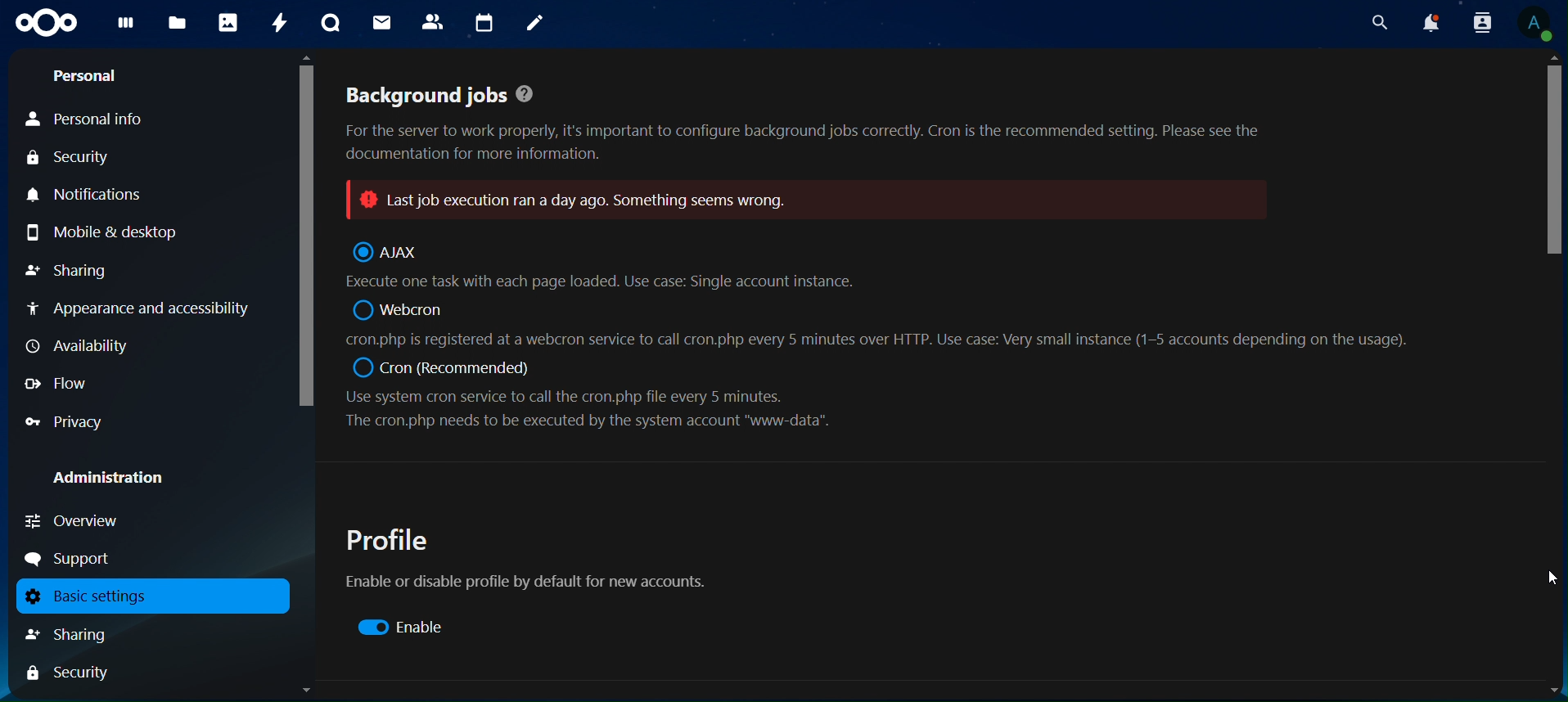 This screenshot has width=1568, height=702. Describe the element at coordinates (125, 231) in the screenshot. I see `mobile & desktop` at that location.